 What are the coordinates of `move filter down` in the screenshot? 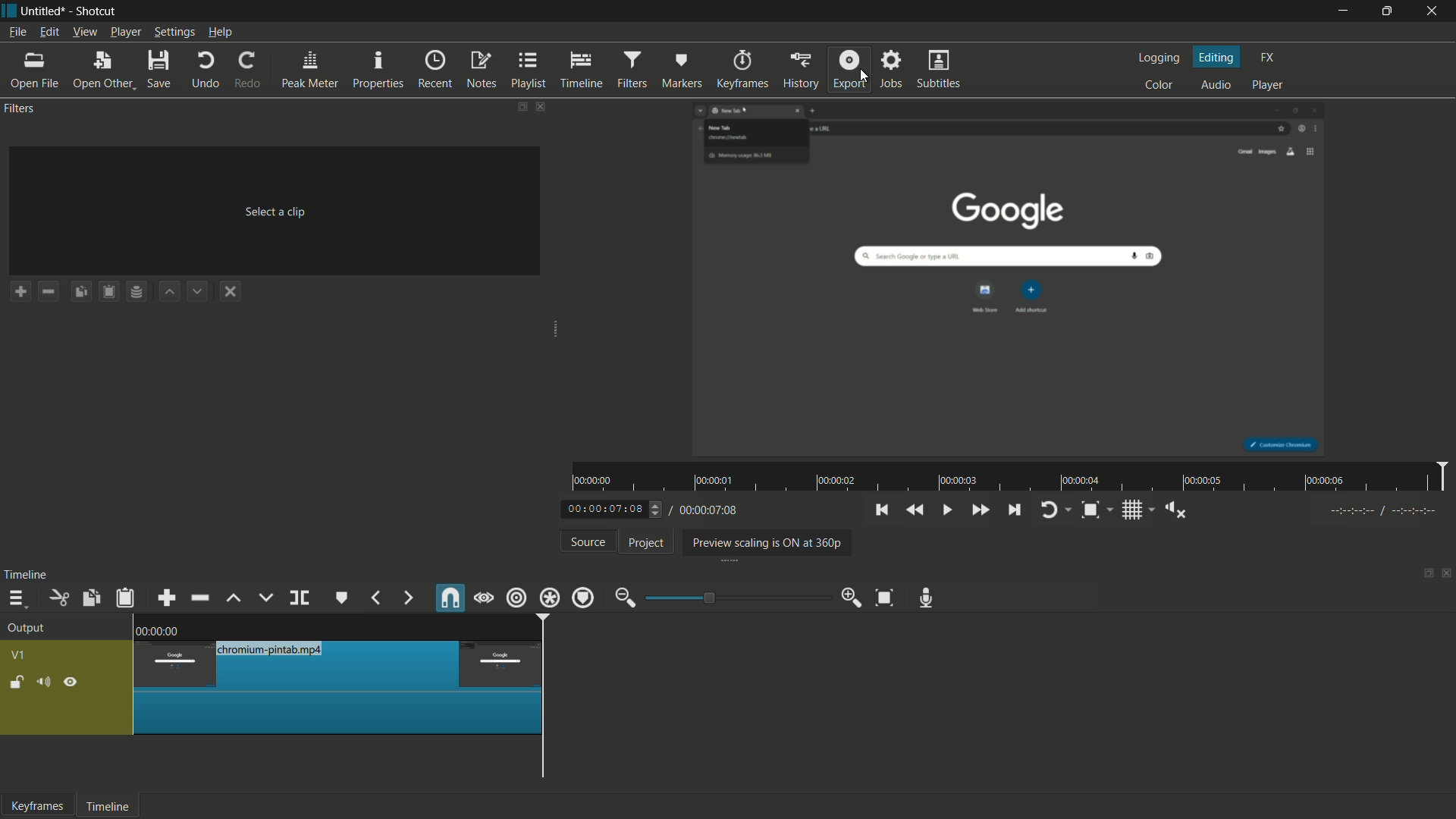 It's located at (196, 291).